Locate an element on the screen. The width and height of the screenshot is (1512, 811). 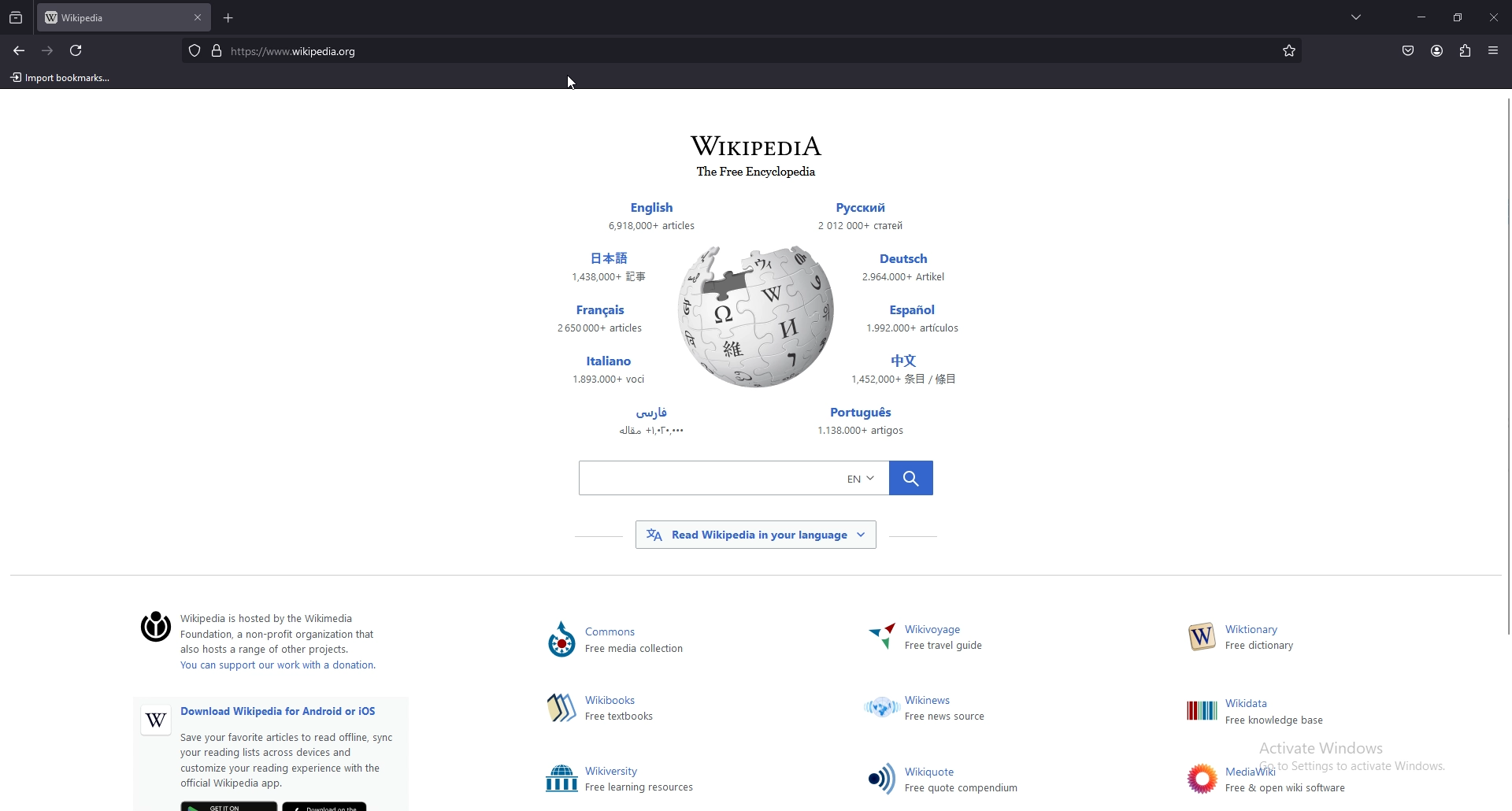
 is located at coordinates (156, 722).